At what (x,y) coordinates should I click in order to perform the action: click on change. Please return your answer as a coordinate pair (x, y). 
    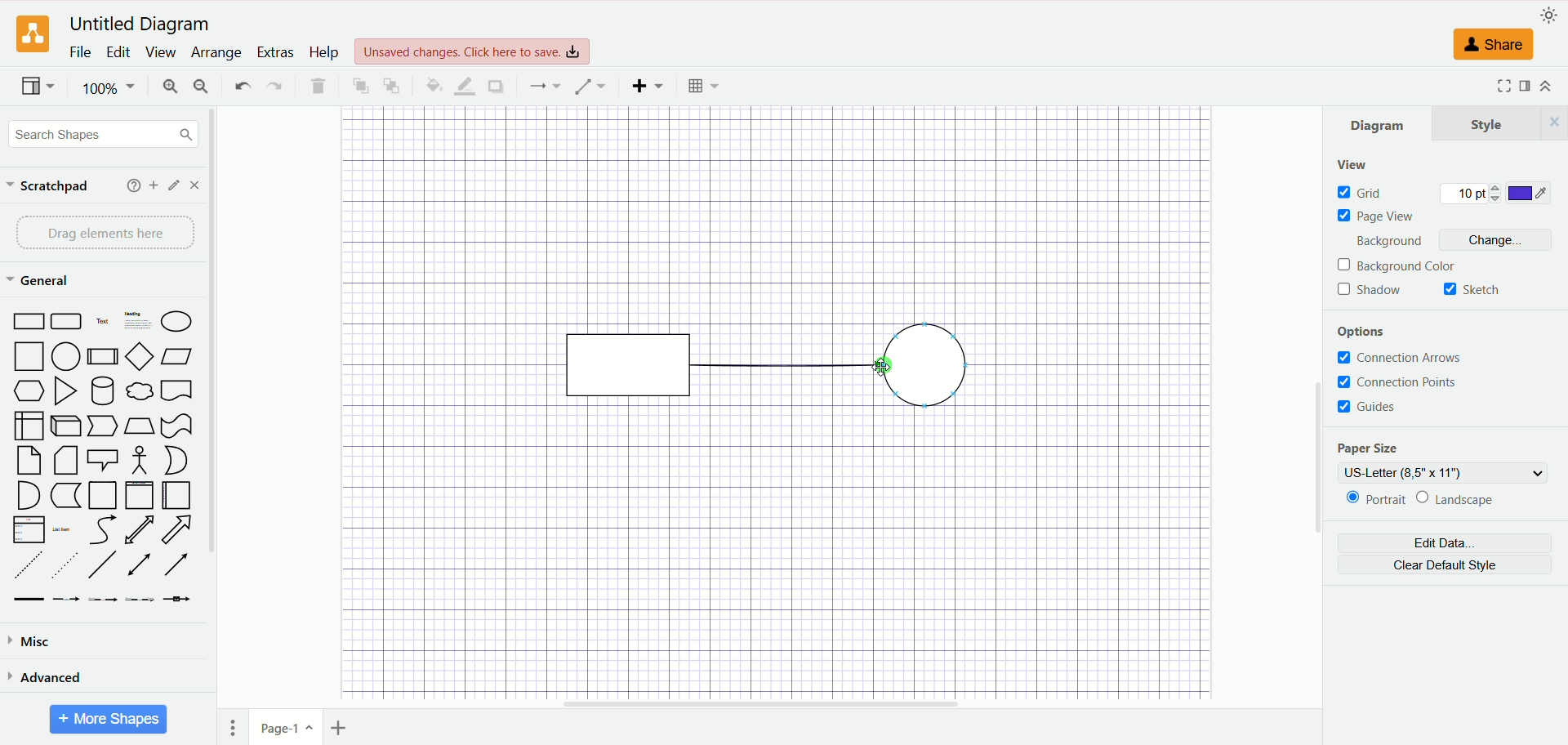
    Looking at the image, I should click on (1501, 239).